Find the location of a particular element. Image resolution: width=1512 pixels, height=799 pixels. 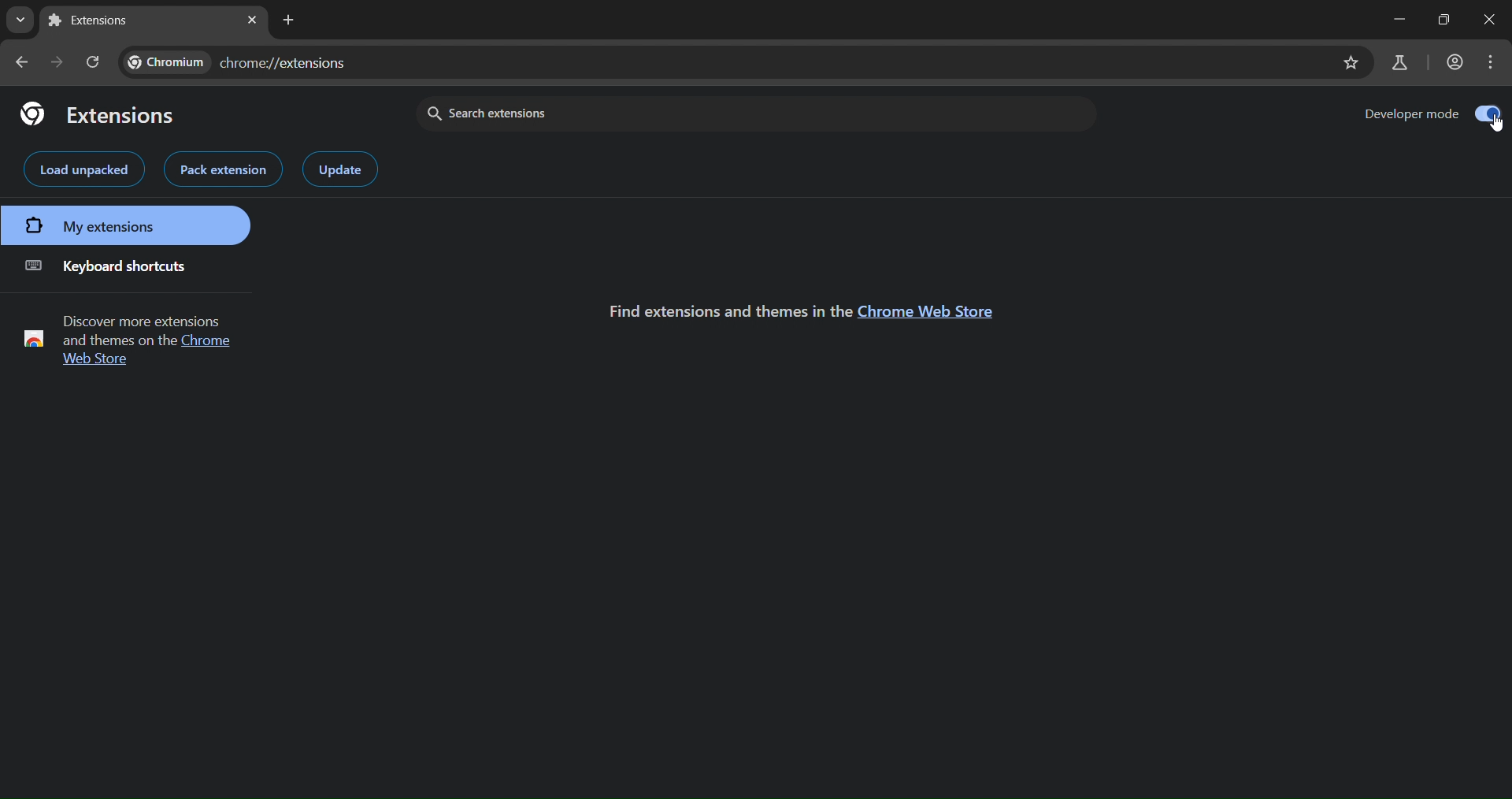

close tab is located at coordinates (252, 20).